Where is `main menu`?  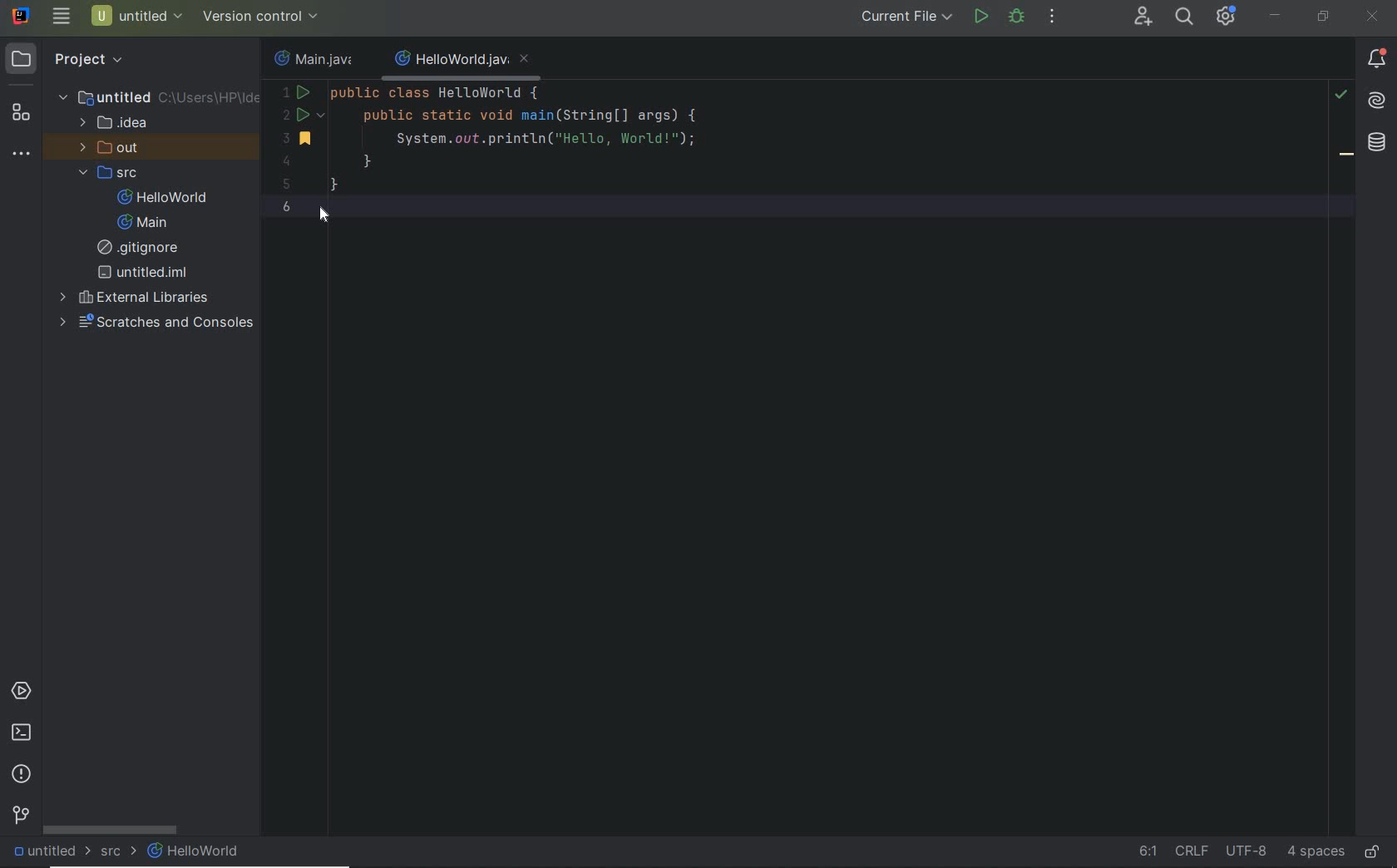 main menu is located at coordinates (62, 16).